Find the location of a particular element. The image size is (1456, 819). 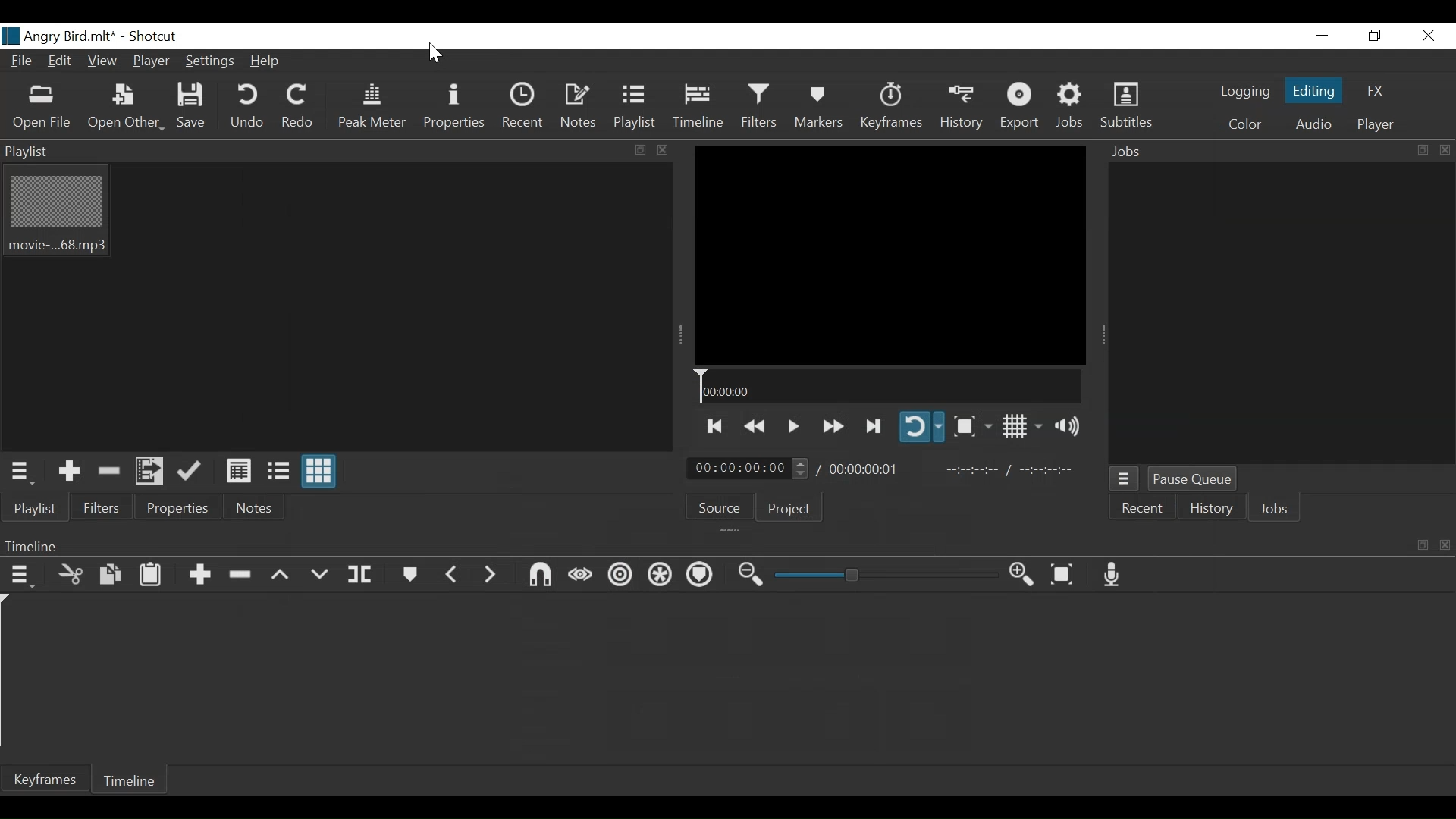

minimize is located at coordinates (1320, 36).